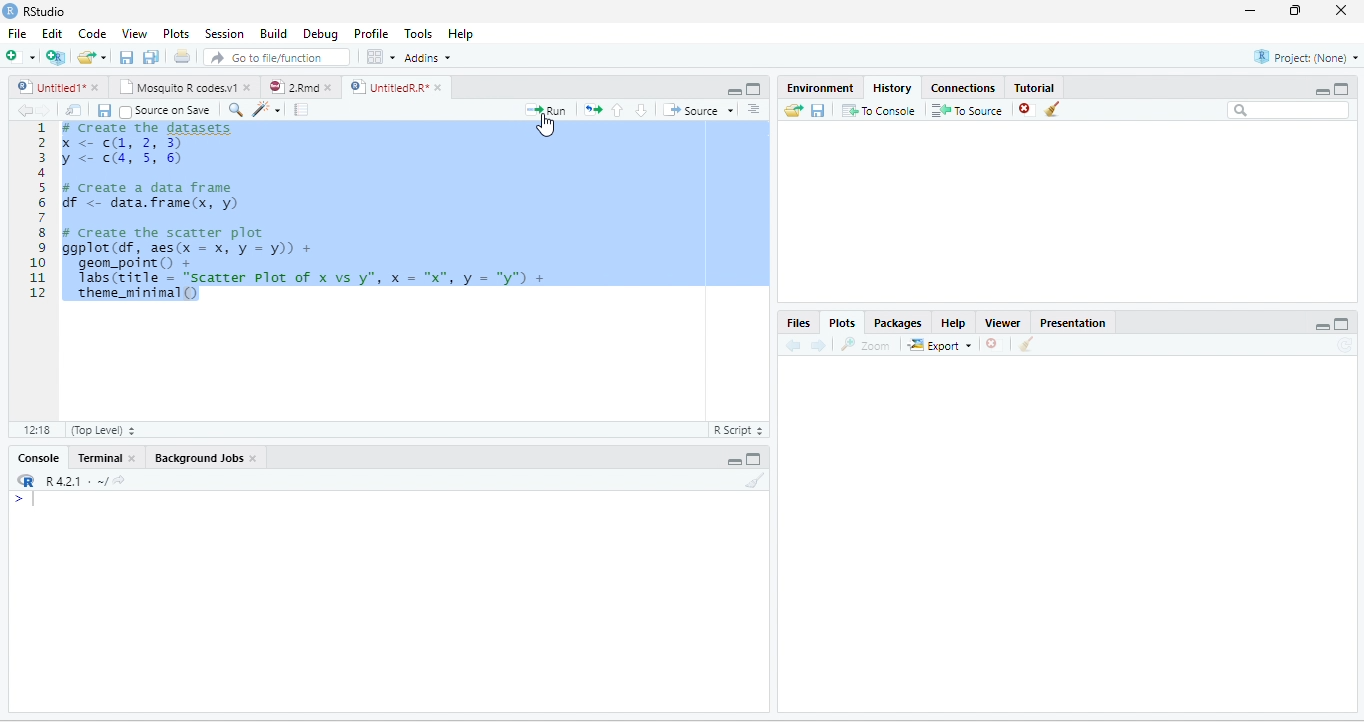 The width and height of the screenshot is (1364, 722). I want to click on Find/Replace, so click(237, 111).